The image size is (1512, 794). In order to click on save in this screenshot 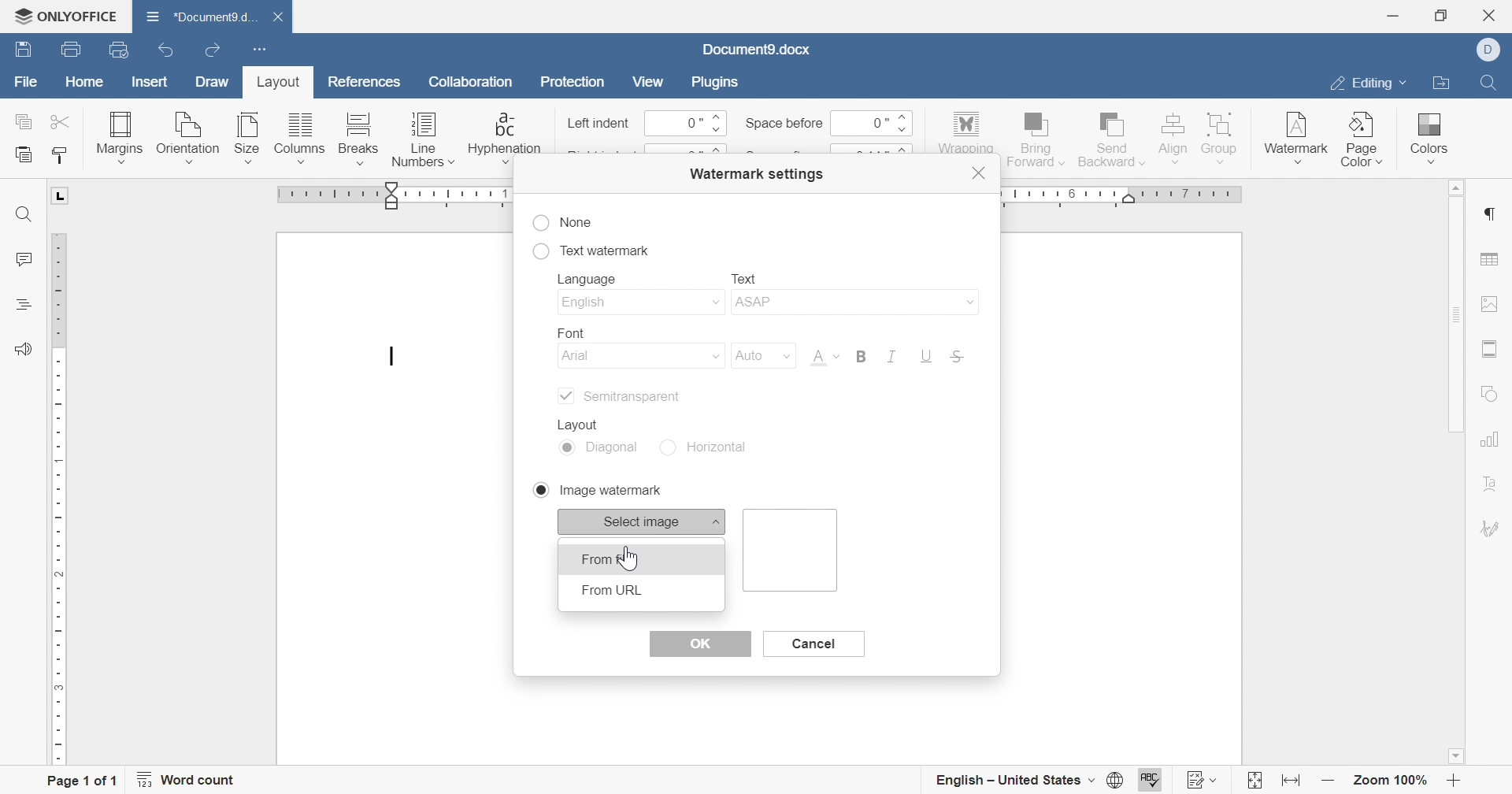, I will do `click(20, 50)`.